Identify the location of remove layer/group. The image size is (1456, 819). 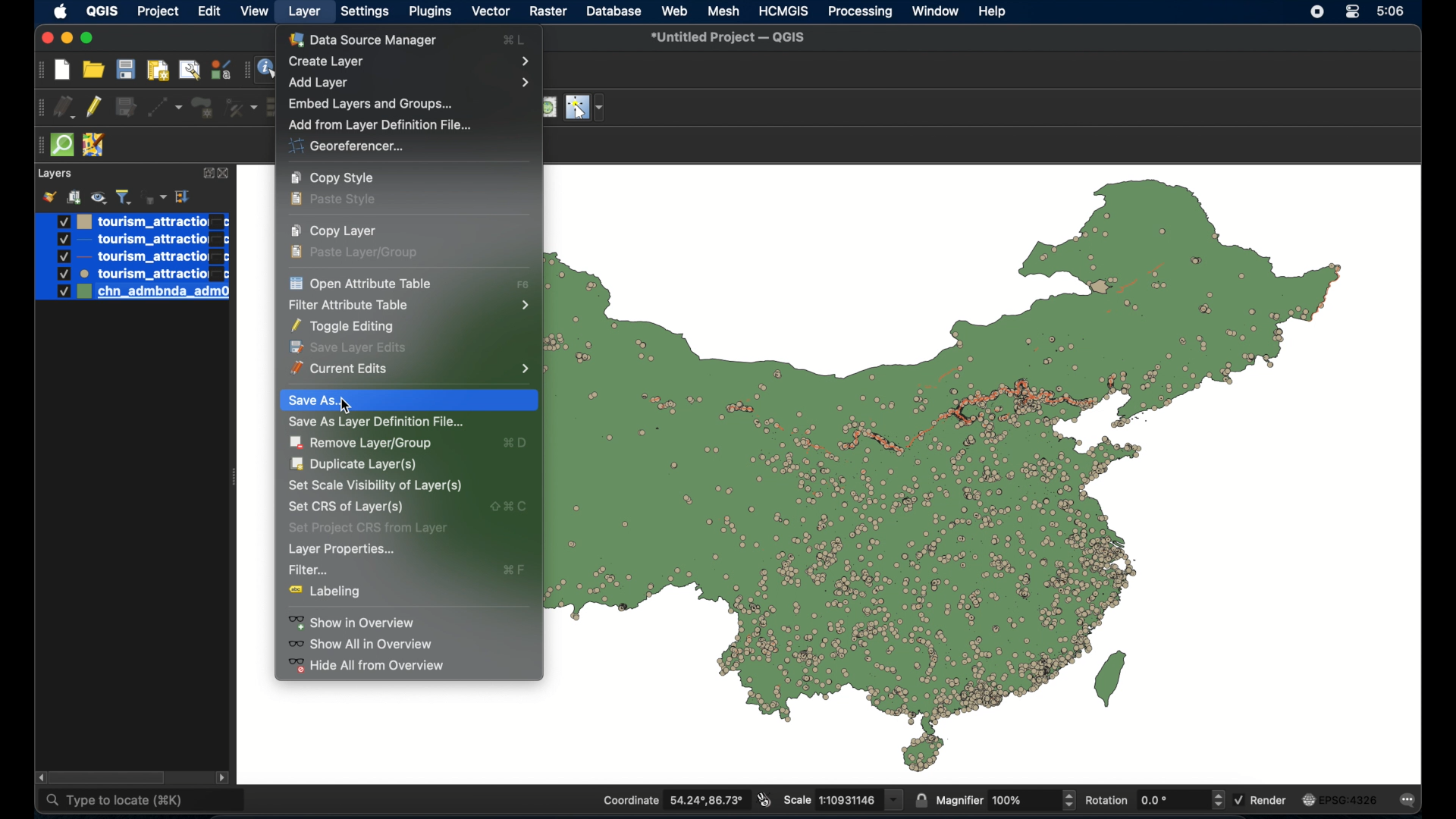
(364, 443).